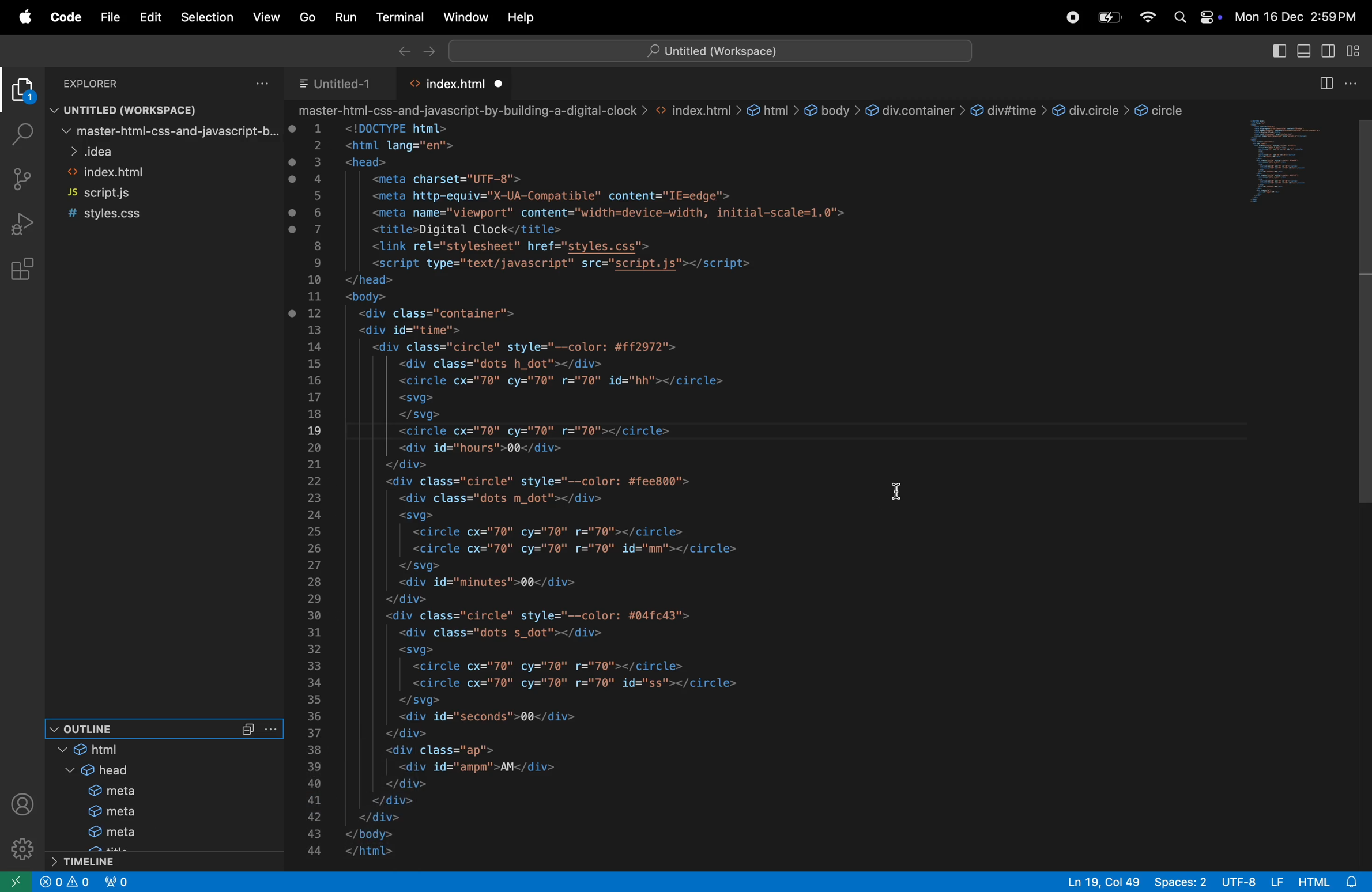 The height and width of the screenshot is (892, 1372). What do you see at coordinates (22, 177) in the screenshot?
I see `source control` at bounding box center [22, 177].